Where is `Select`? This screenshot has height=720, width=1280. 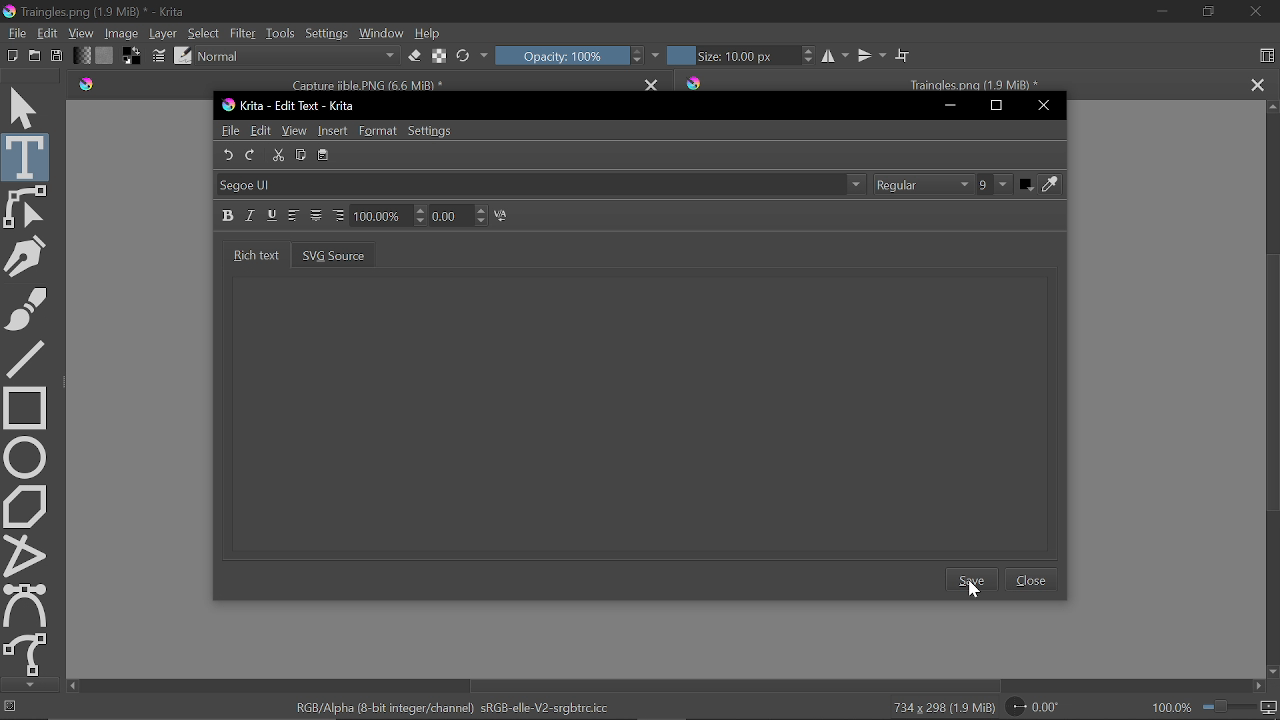
Select is located at coordinates (204, 34).